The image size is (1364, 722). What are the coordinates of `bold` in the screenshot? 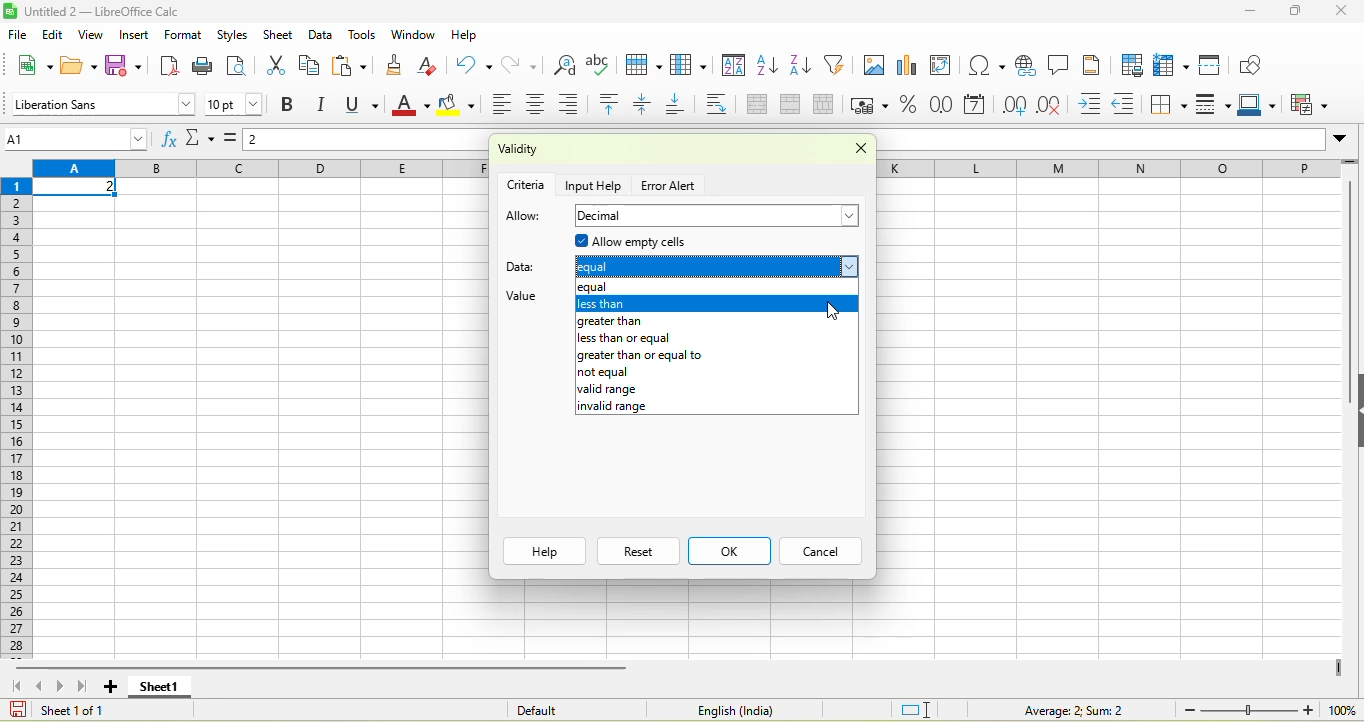 It's located at (289, 106).